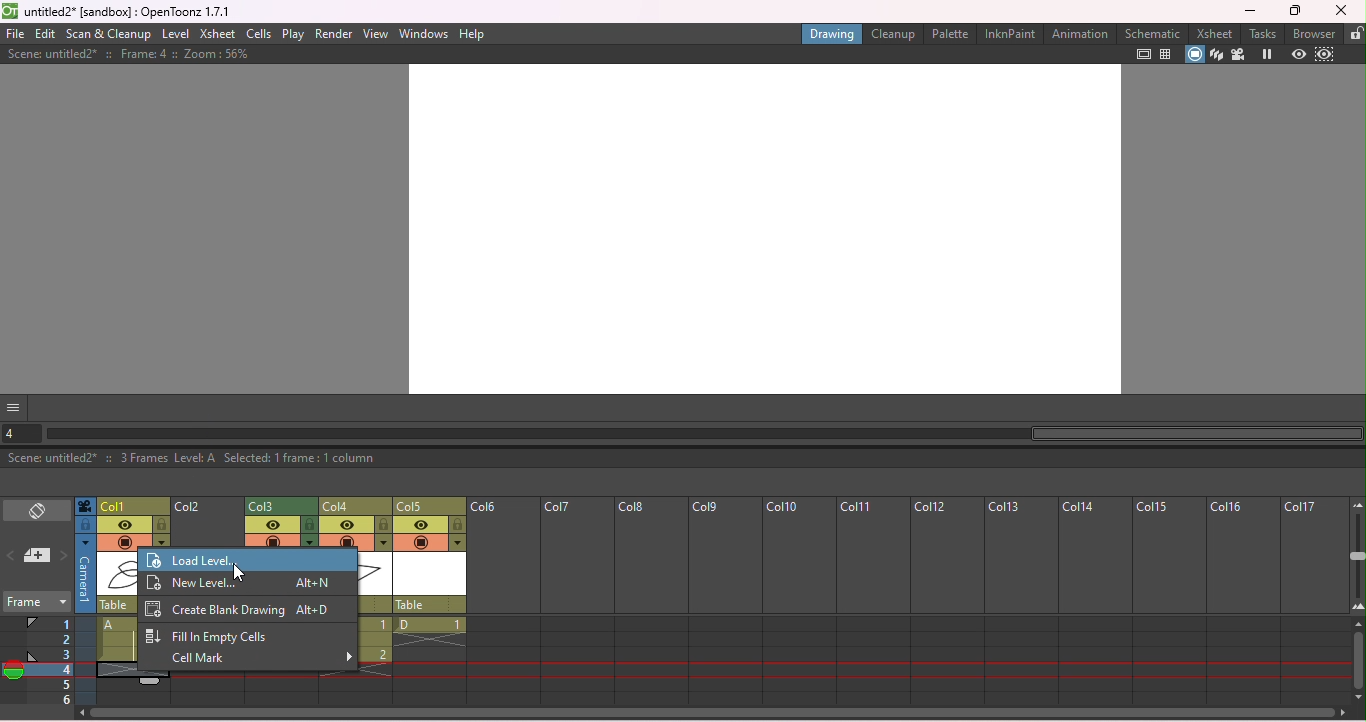 Image resolution: width=1366 pixels, height=722 pixels. I want to click on Palette, so click(951, 33).